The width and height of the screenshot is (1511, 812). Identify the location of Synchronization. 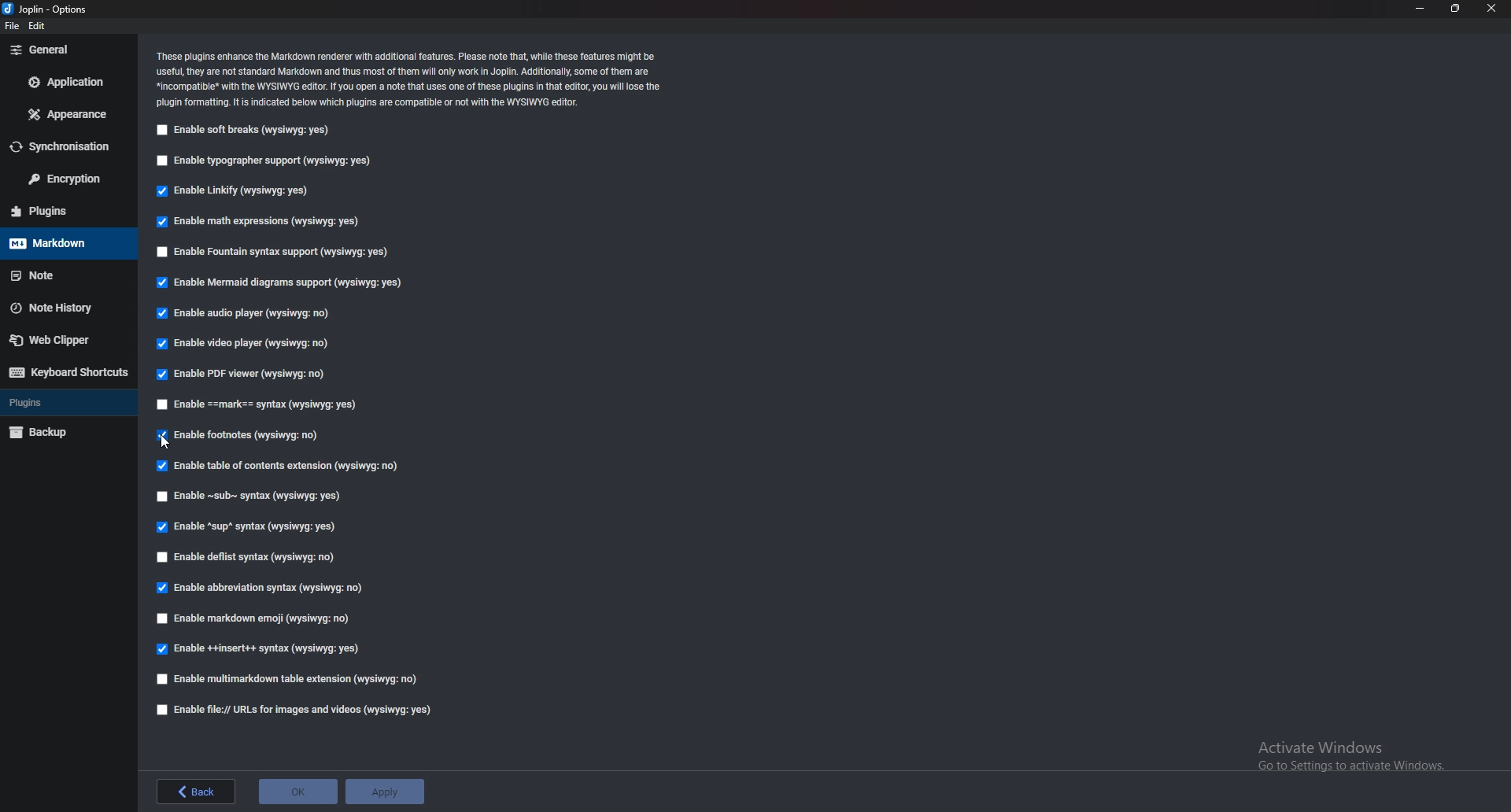
(68, 148).